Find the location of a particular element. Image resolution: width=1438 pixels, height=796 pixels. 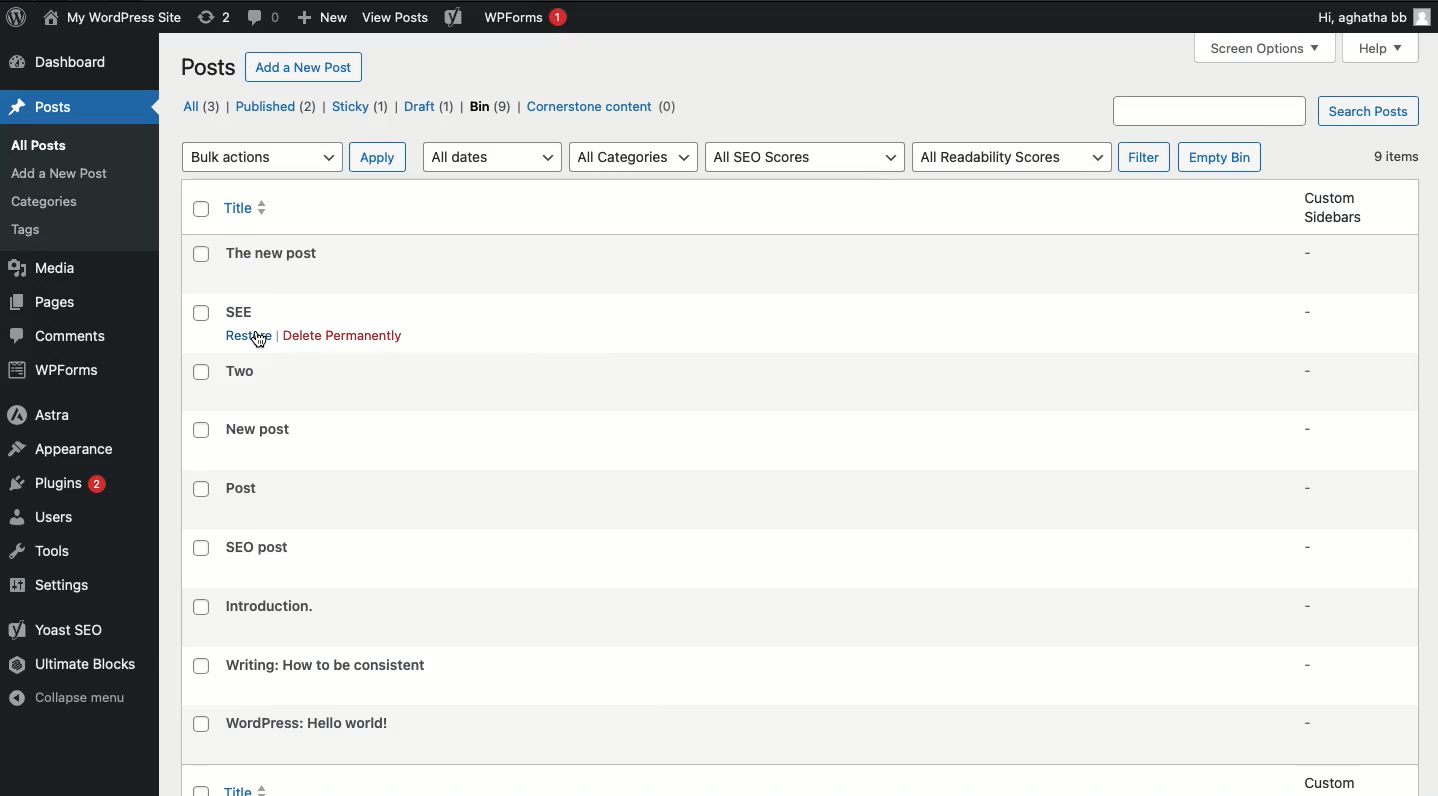

Title is located at coordinates (310, 722).